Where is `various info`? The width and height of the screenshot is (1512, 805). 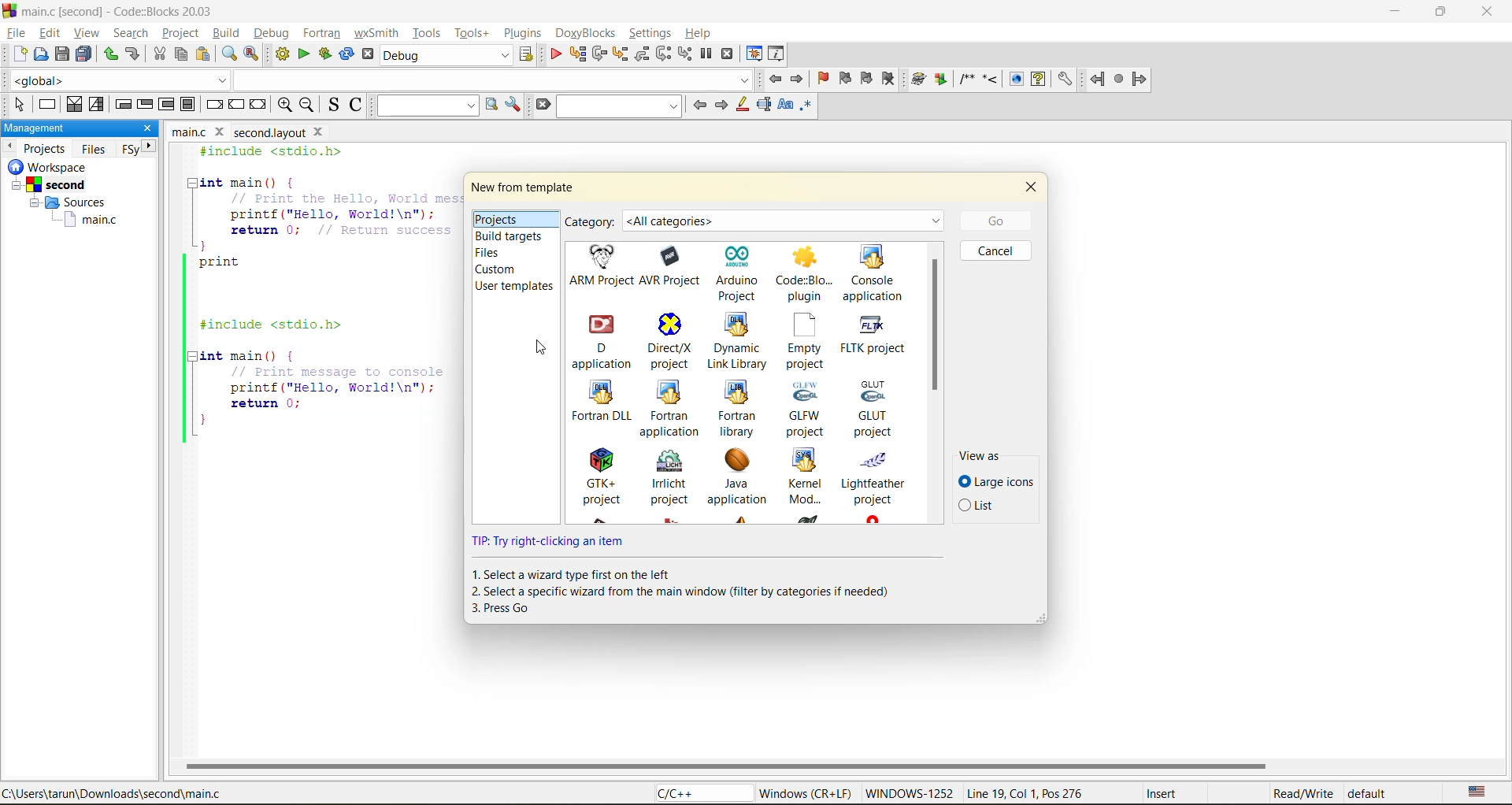 various info is located at coordinates (774, 54).